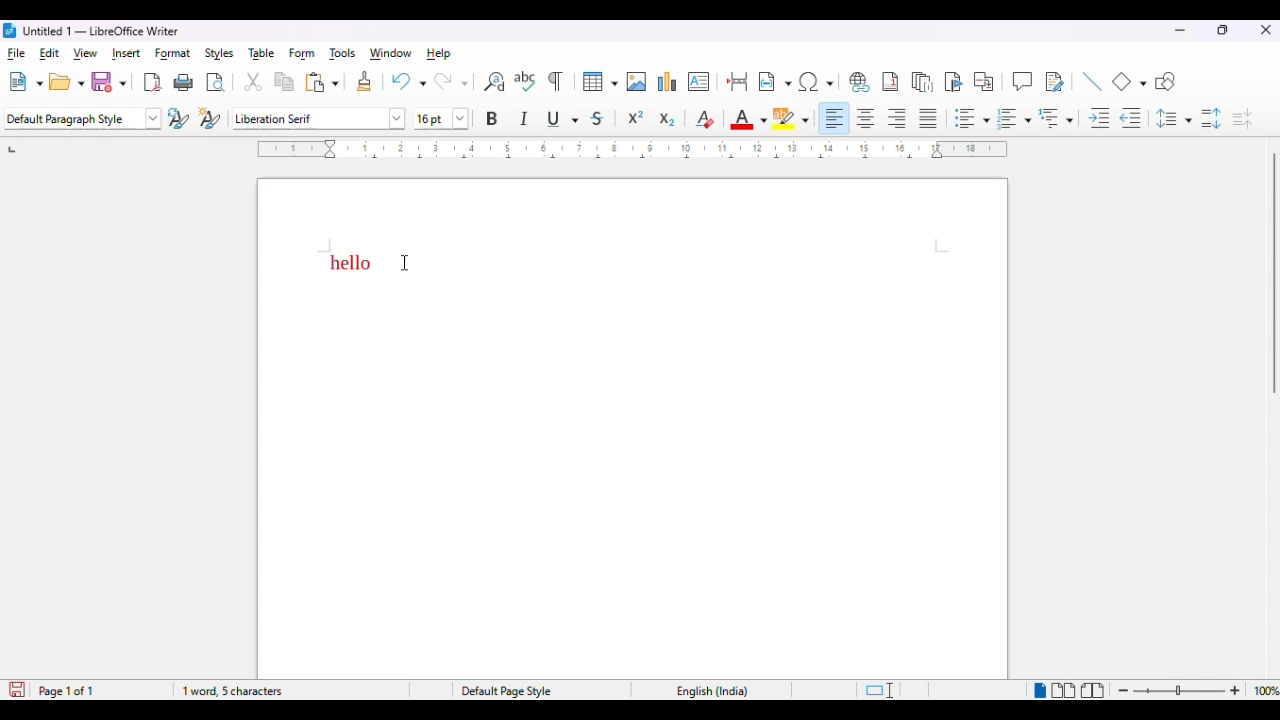  What do you see at coordinates (598, 120) in the screenshot?
I see `strikethrough` at bounding box center [598, 120].